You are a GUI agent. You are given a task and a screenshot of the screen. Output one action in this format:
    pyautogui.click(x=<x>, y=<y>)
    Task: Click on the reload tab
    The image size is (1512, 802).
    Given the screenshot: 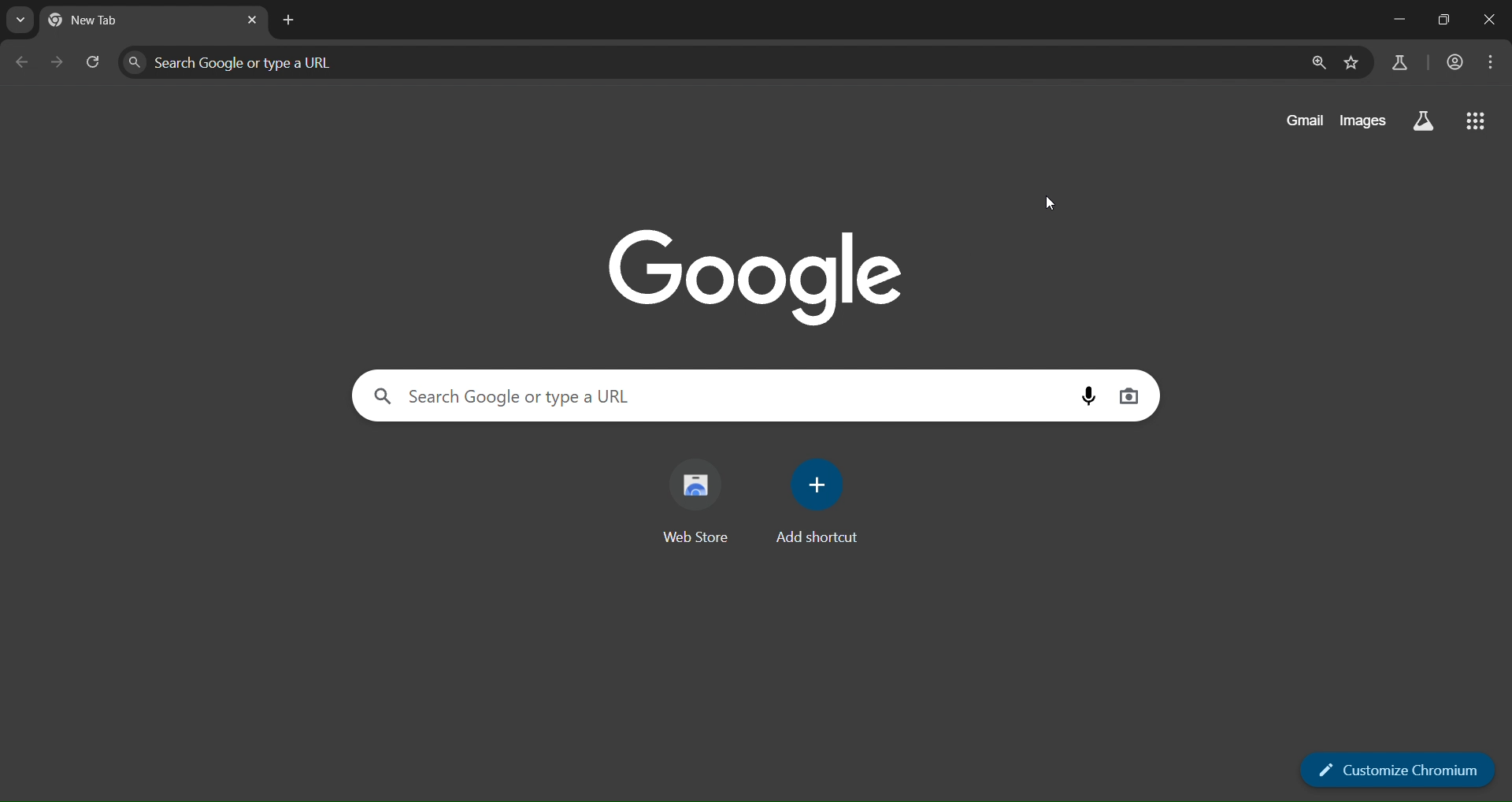 What is the action you would take?
    pyautogui.click(x=95, y=61)
    